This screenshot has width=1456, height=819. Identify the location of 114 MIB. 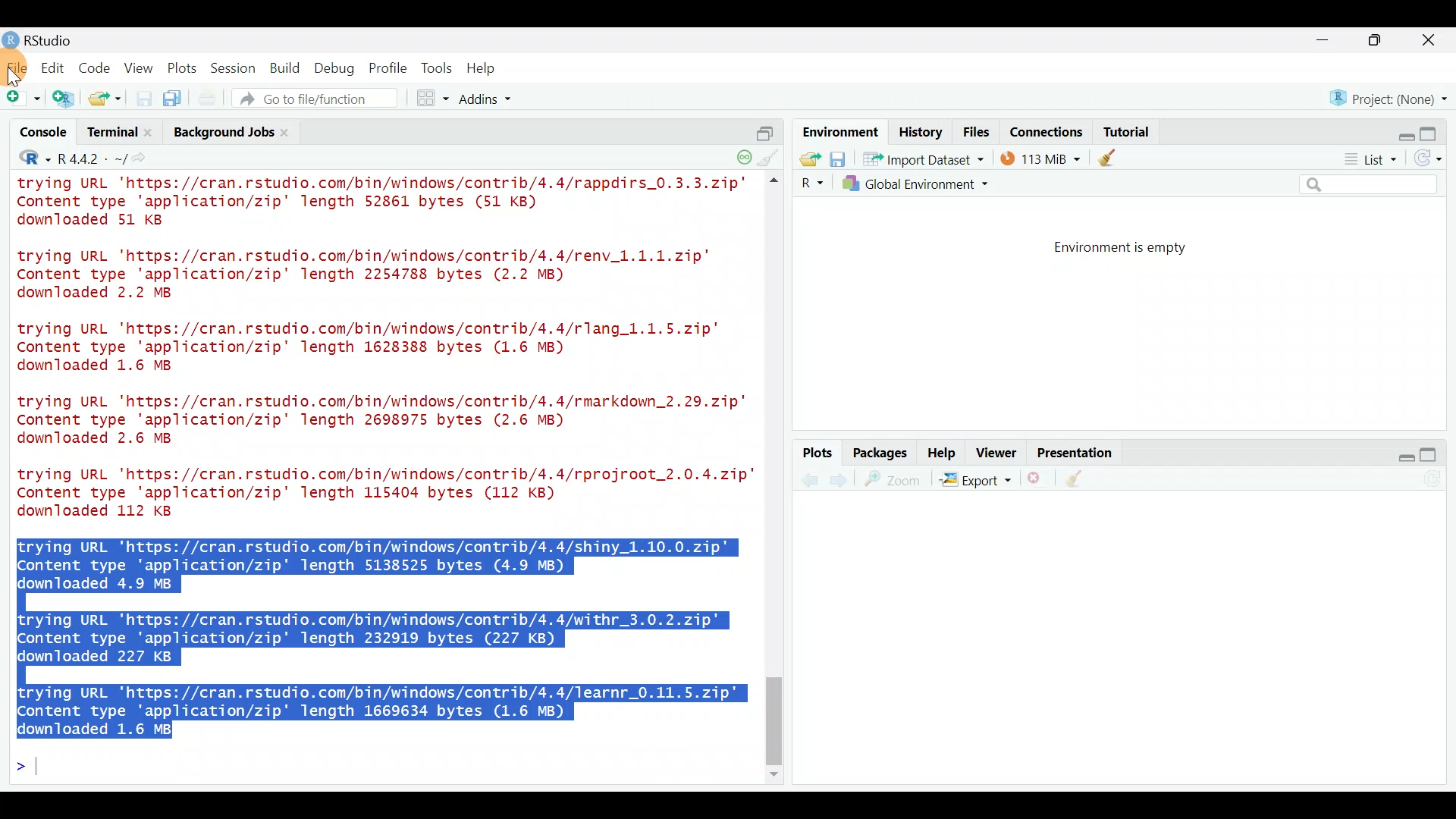
(1040, 158).